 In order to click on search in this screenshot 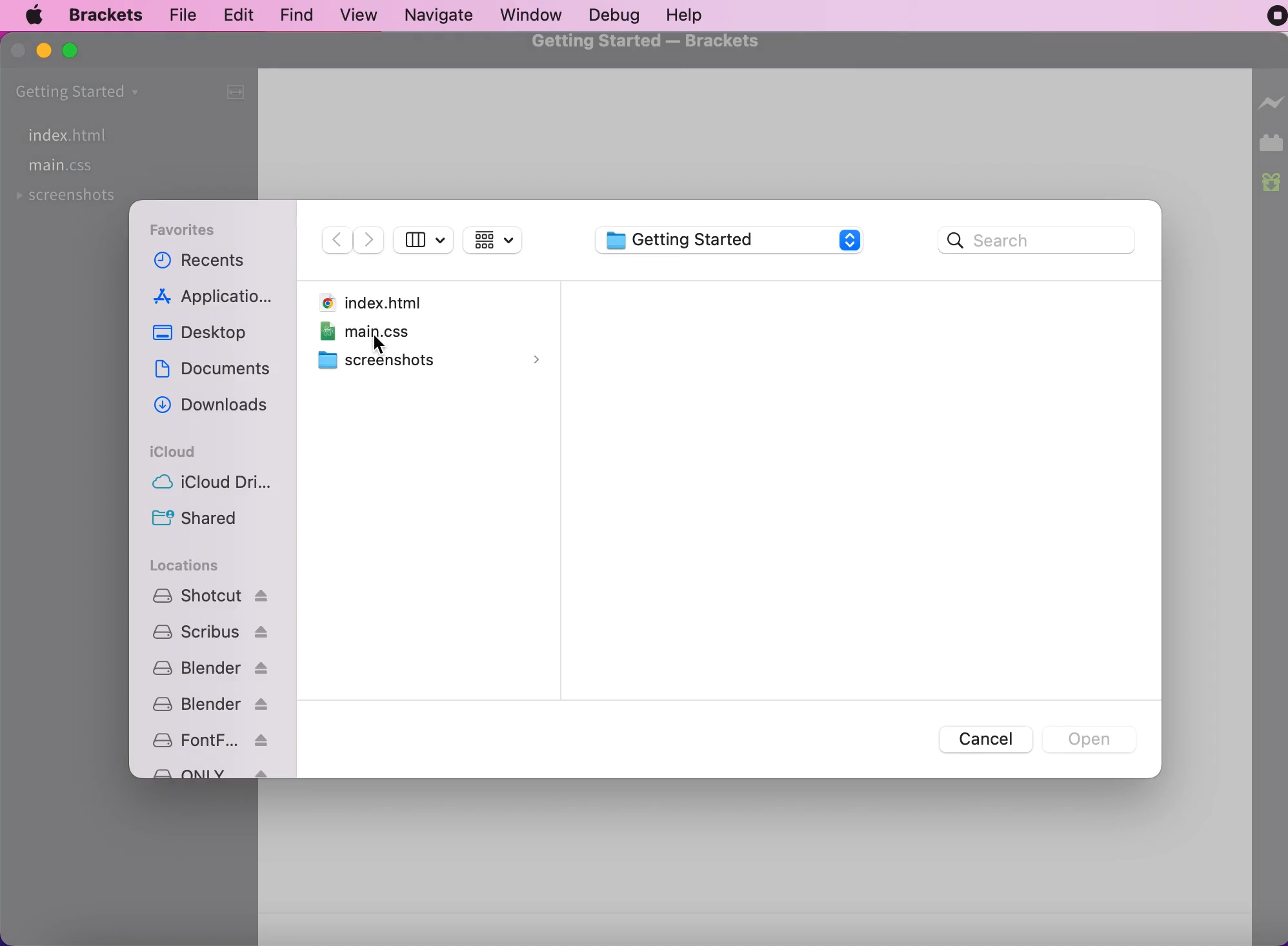, I will do `click(1043, 242)`.